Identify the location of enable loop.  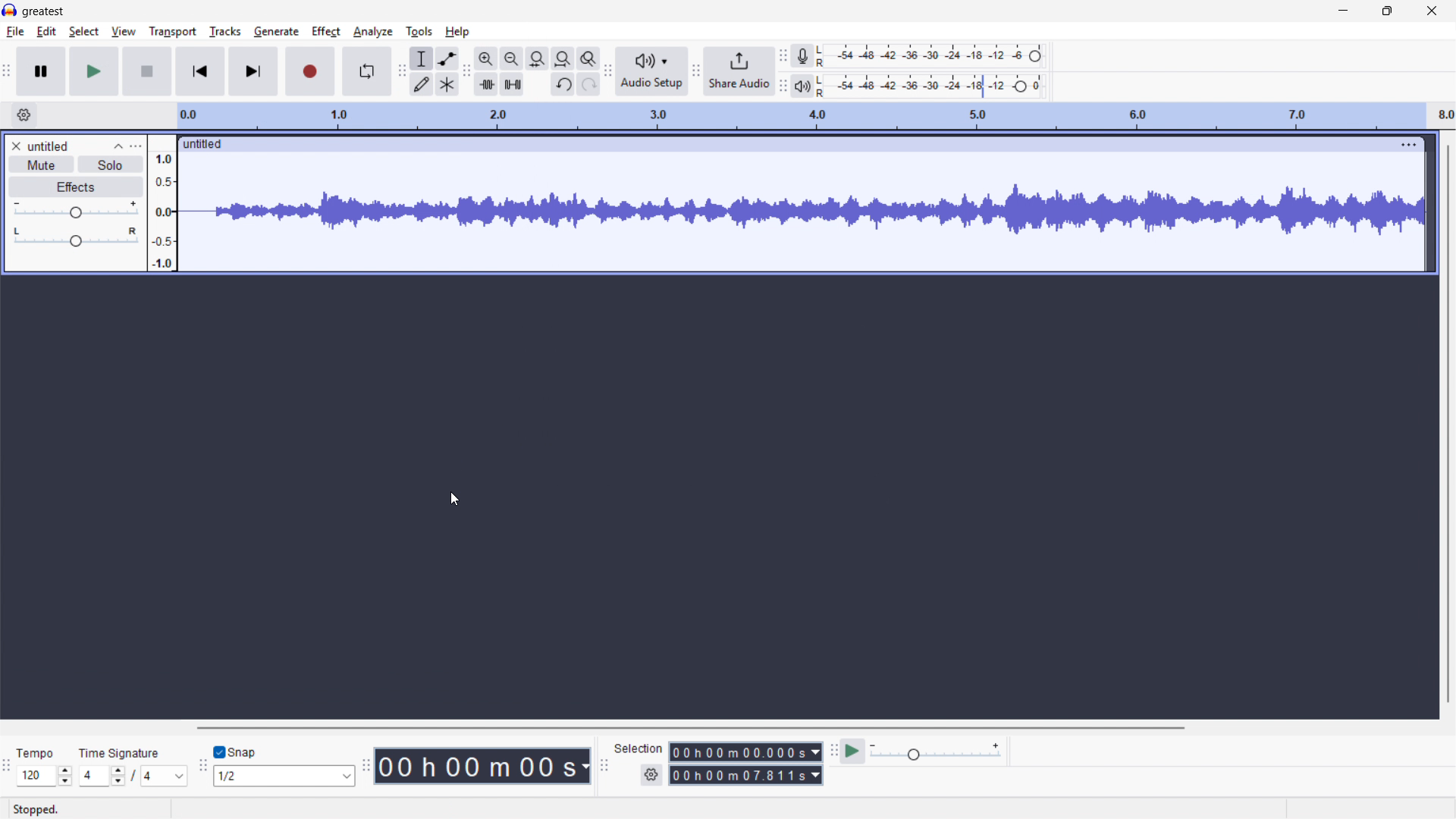
(366, 73).